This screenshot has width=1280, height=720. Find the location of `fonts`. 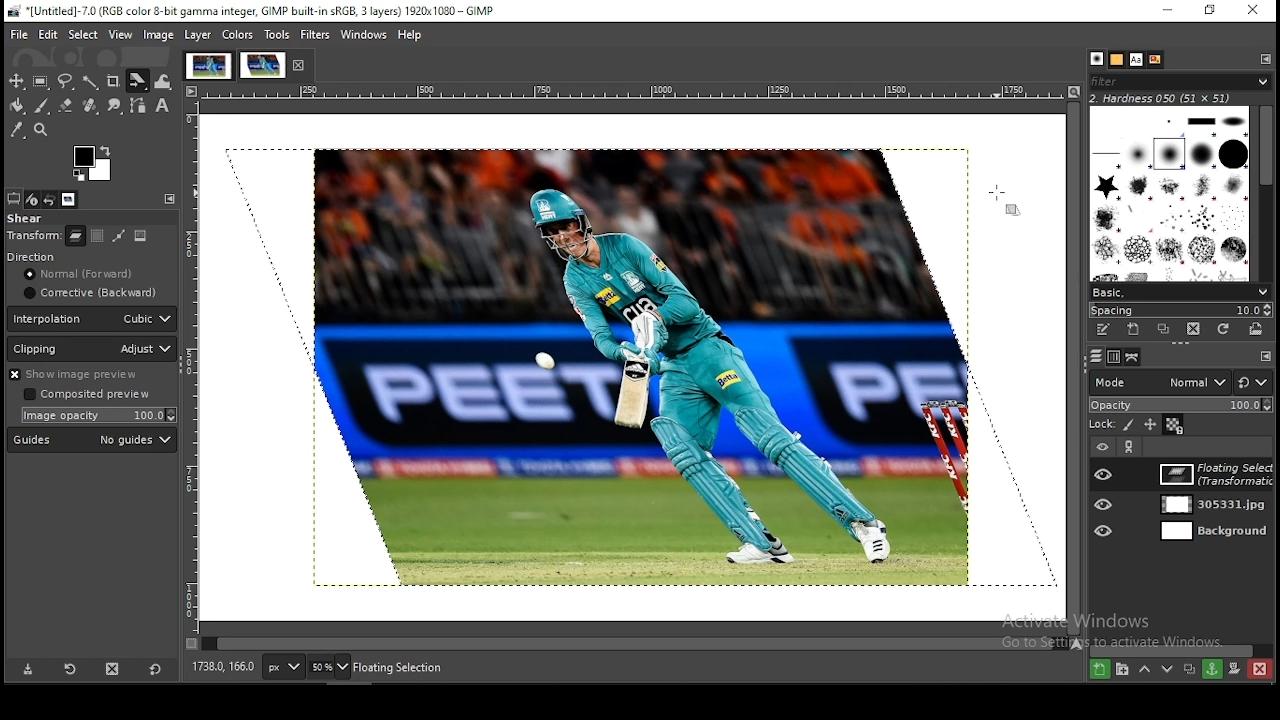

fonts is located at coordinates (1136, 60).